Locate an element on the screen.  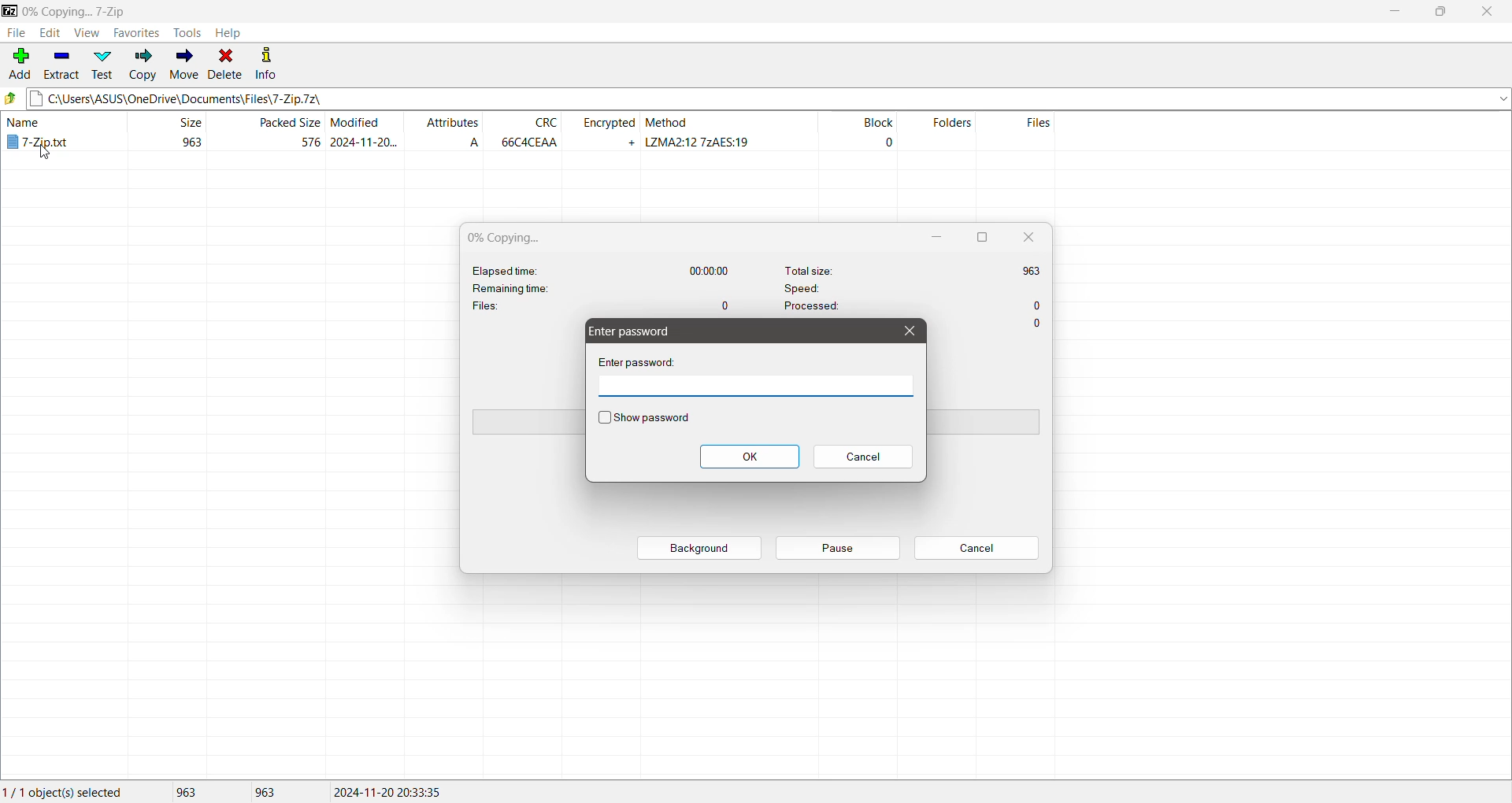
Favorites is located at coordinates (137, 33).